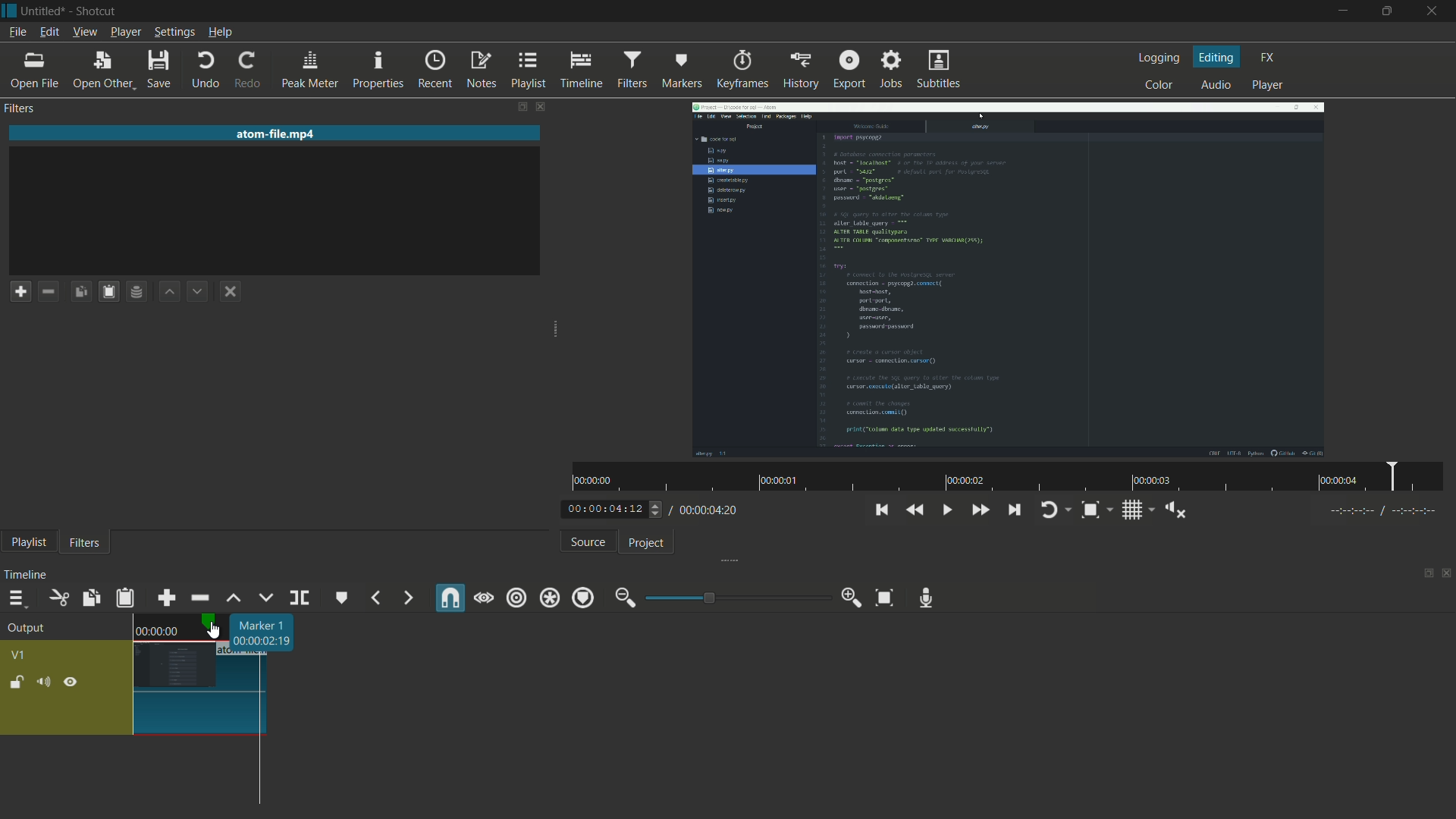 This screenshot has width=1456, height=819. Describe the element at coordinates (1014, 510) in the screenshot. I see `skip to the next point` at that location.